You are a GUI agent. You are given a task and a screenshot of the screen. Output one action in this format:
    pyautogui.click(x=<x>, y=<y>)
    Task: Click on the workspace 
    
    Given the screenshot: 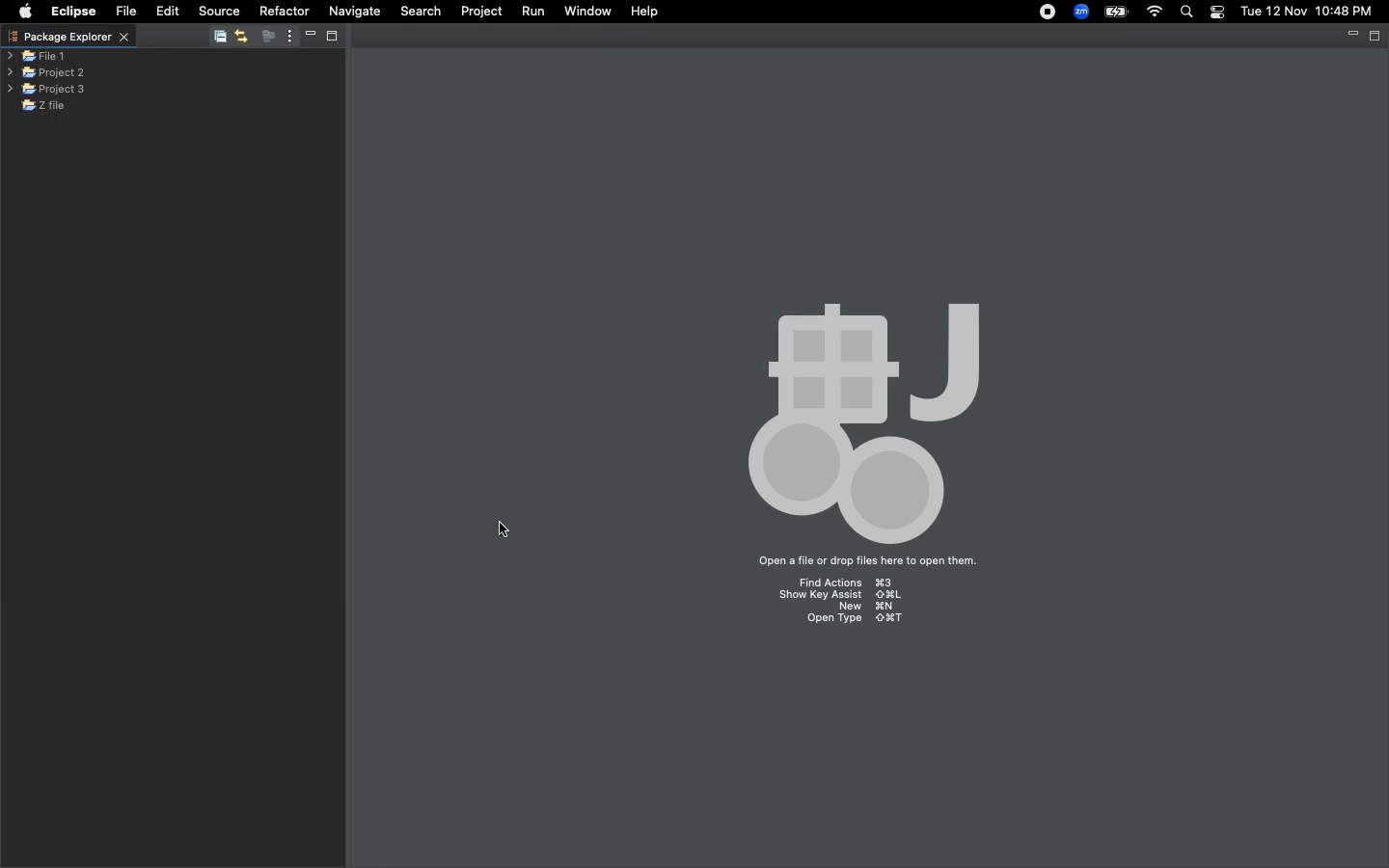 What is the action you would take?
    pyautogui.click(x=866, y=457)
    